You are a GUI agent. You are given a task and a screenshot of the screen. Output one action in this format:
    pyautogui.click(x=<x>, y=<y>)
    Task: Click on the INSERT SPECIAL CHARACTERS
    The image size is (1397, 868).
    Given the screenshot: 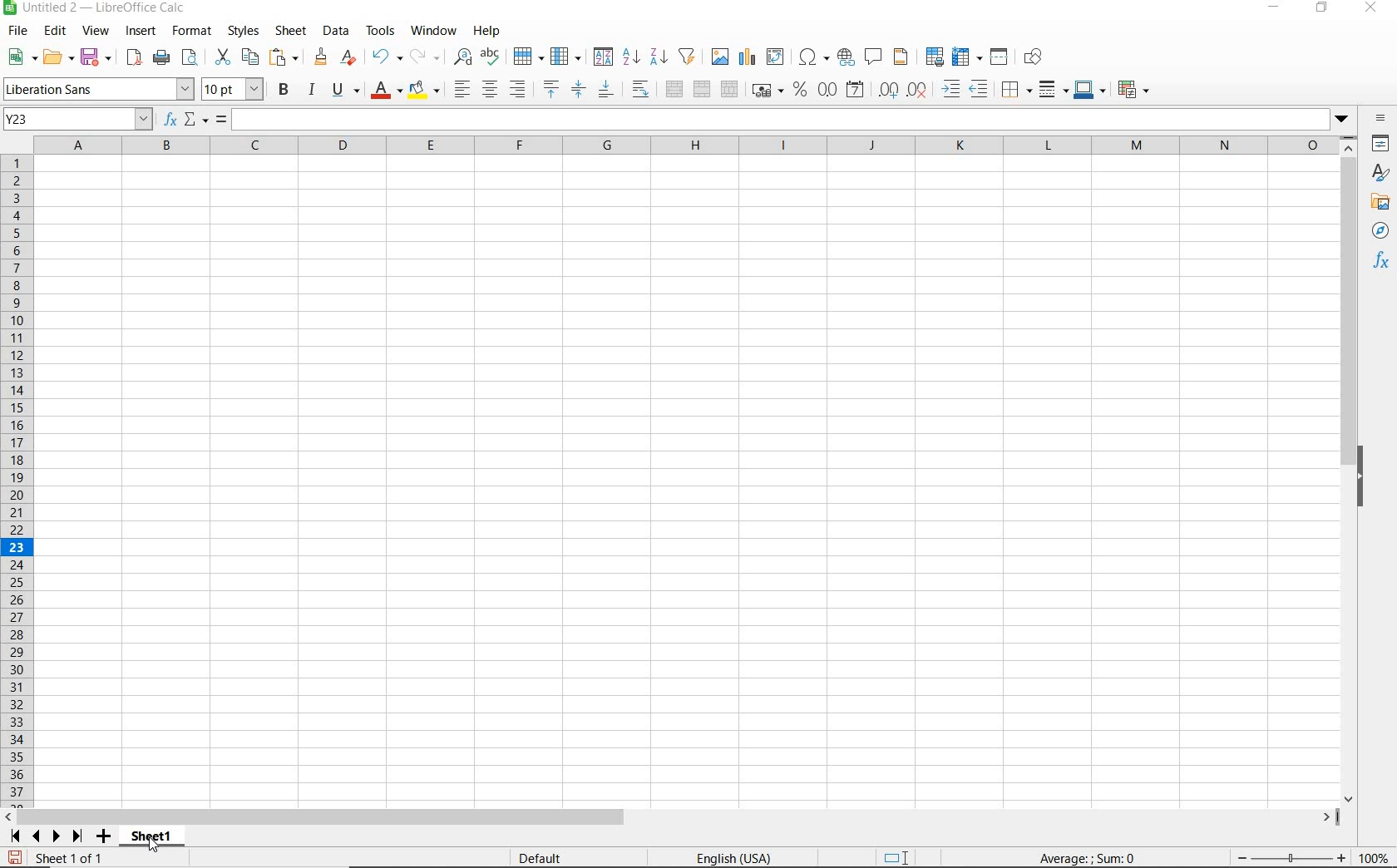 What is the action you would take?
    pyautogui.click(x=815, y=57)
    